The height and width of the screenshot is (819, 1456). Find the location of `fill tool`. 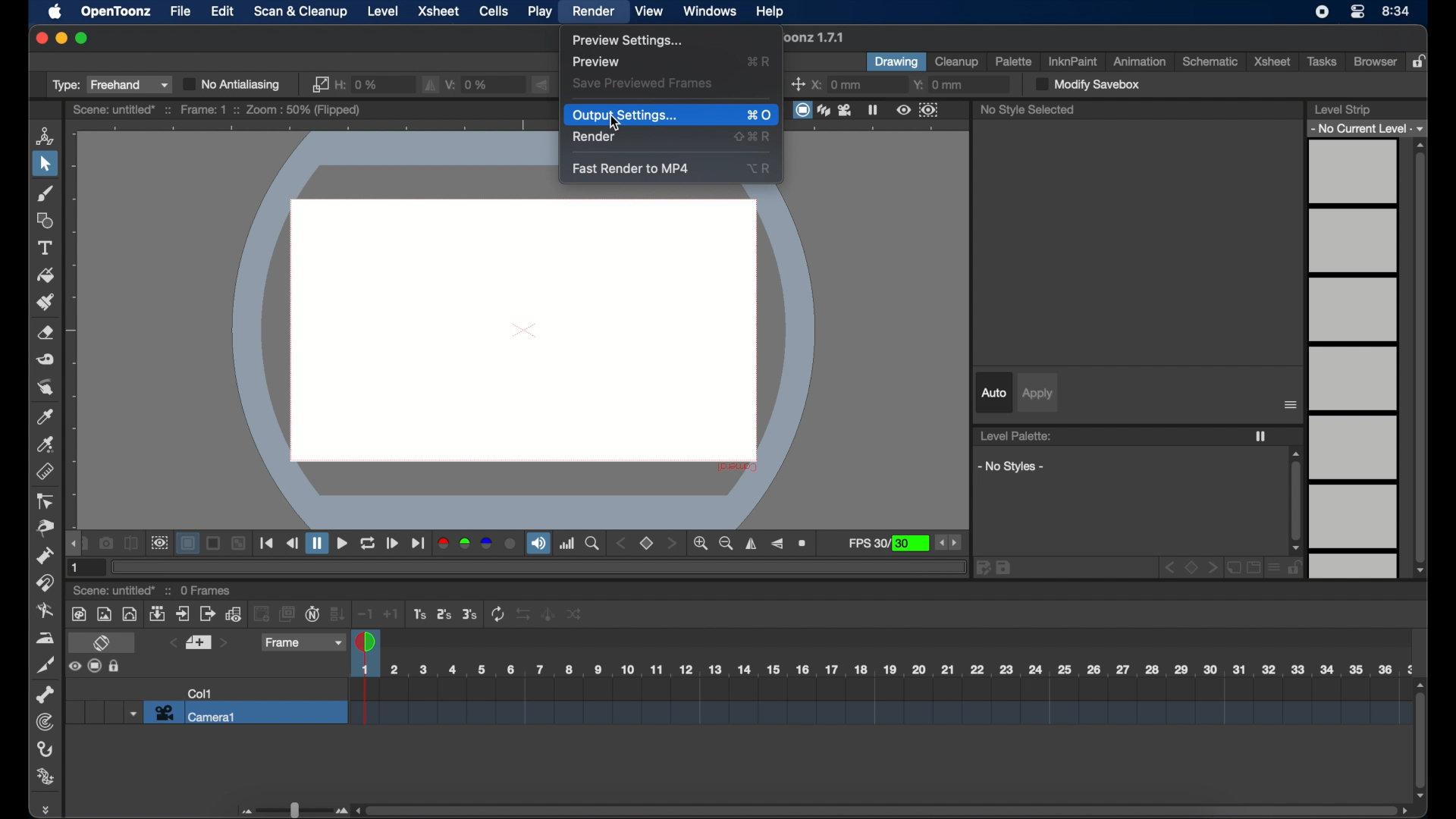

fill tool is located at coordinates (46, 276).